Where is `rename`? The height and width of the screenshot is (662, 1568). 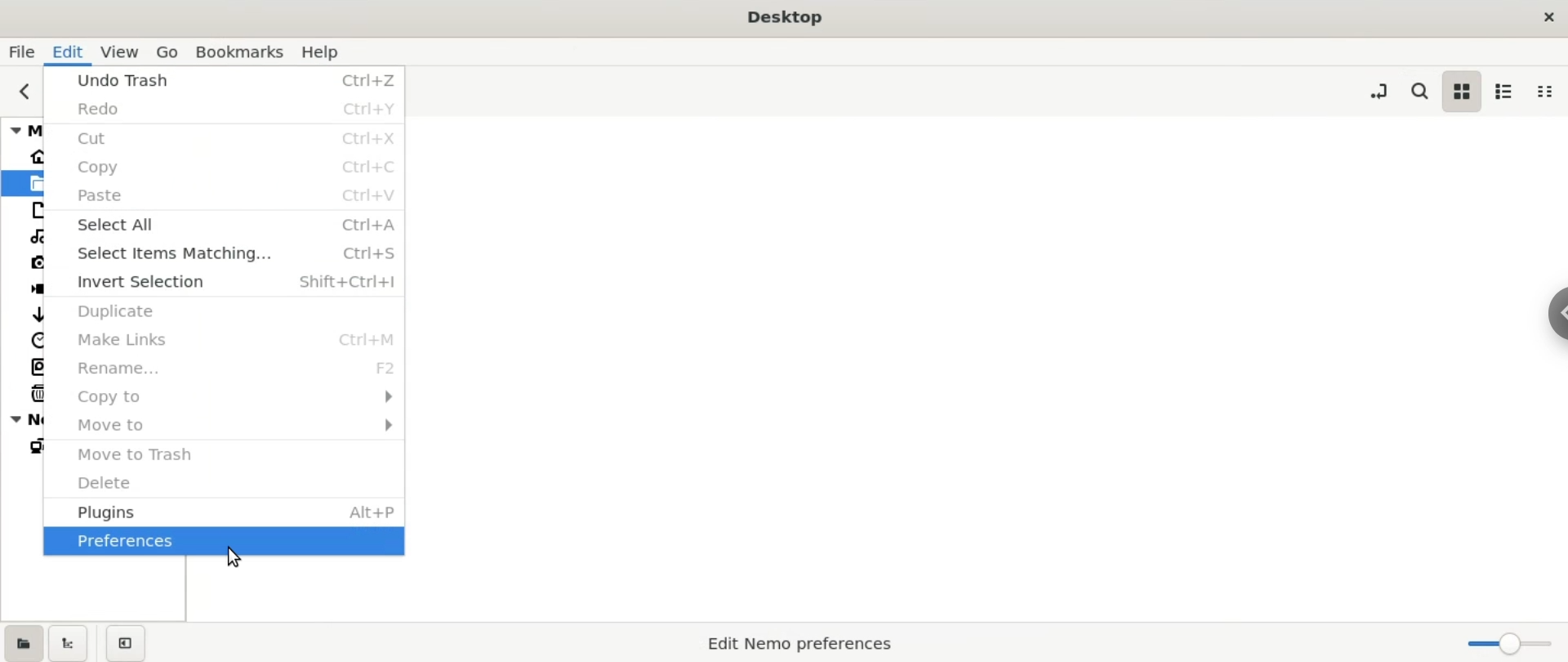 rename is located at coordinates (221, 368).